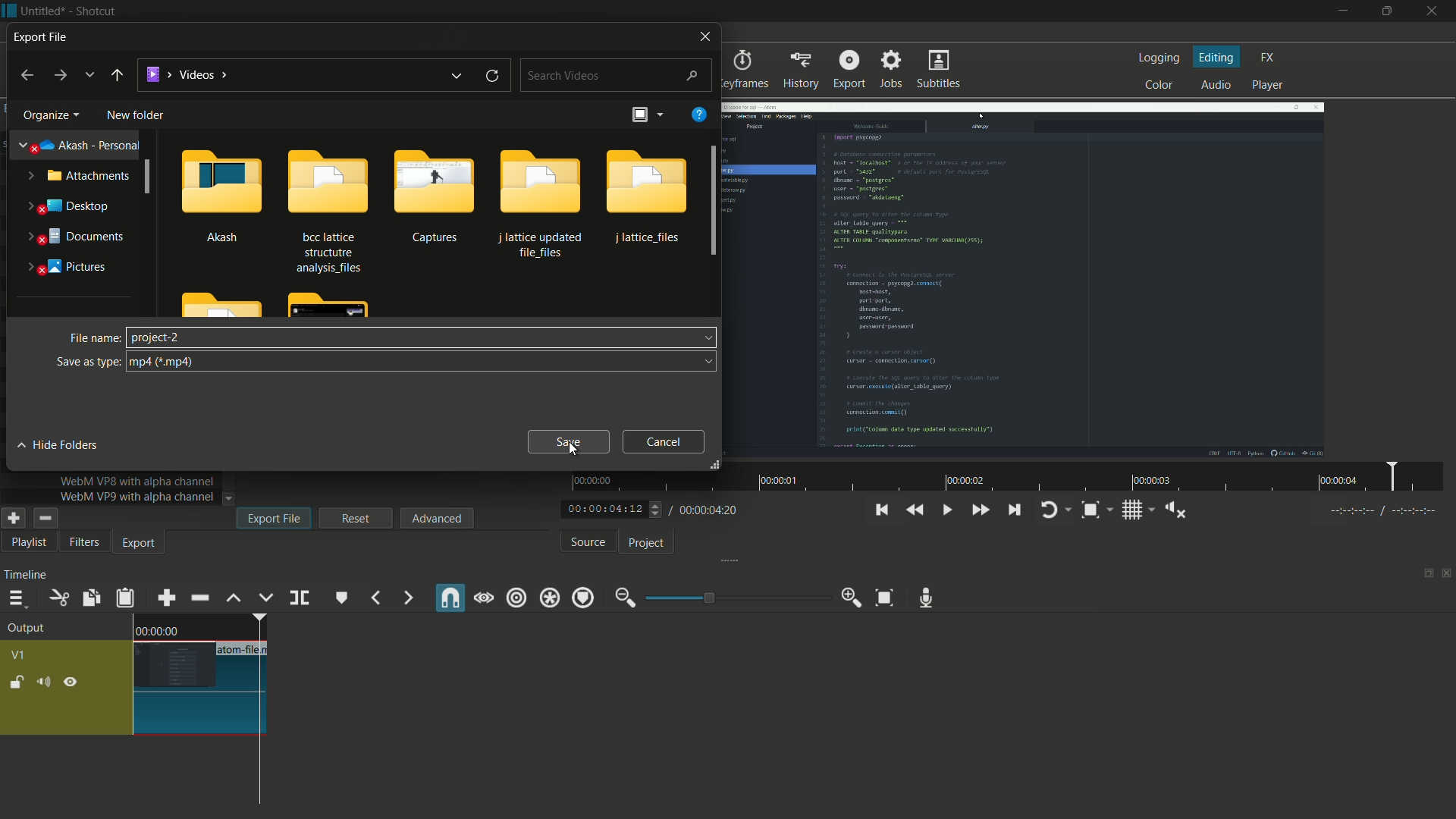 Image resolution: width=1456 pixels, height=819 pixels. Describe the element at coordinates (927, 598) in the screenshot. I see `record audio` at that location.